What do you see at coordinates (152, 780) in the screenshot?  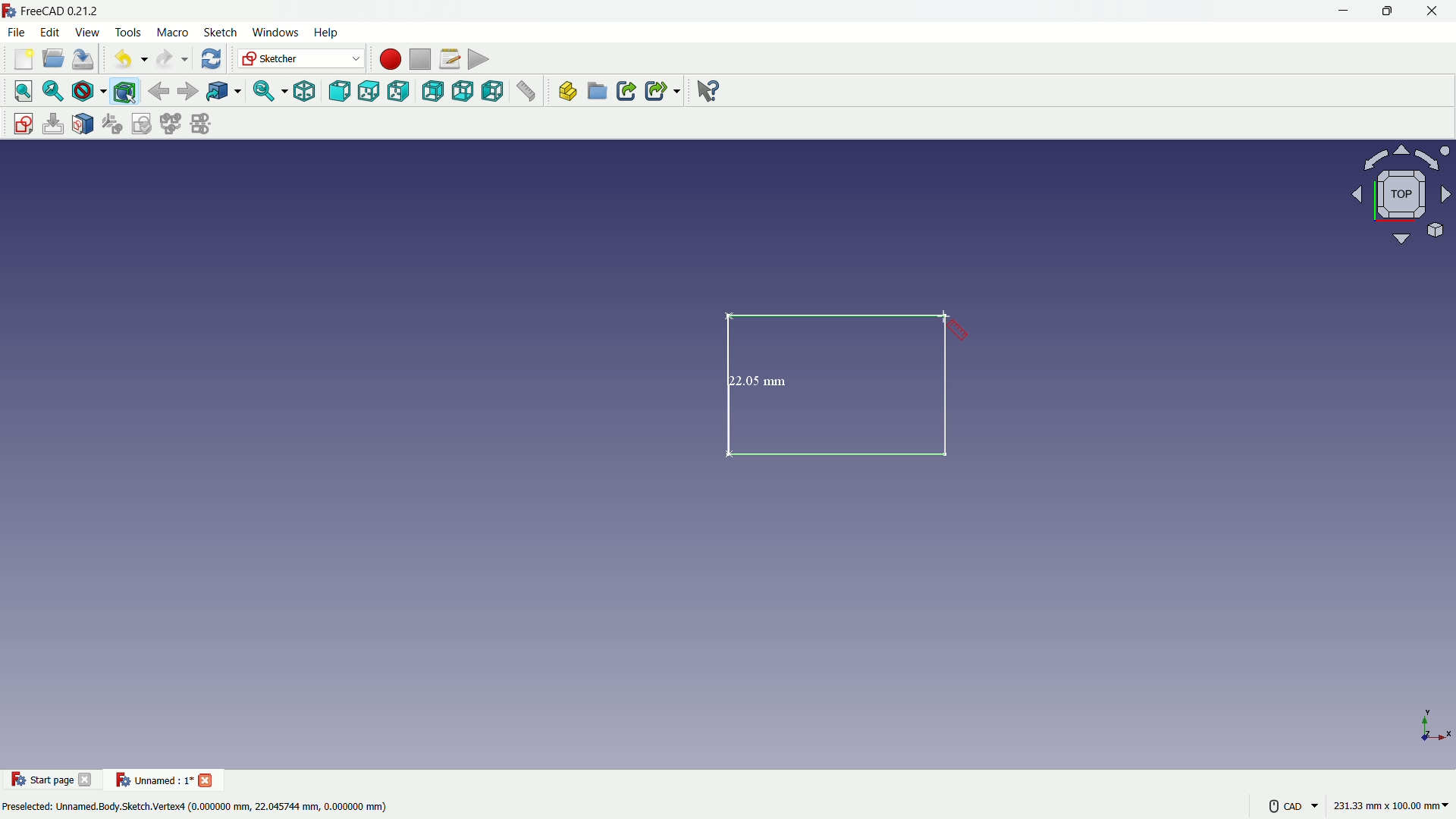 I see `current project name` at bounding box center [152, 780].